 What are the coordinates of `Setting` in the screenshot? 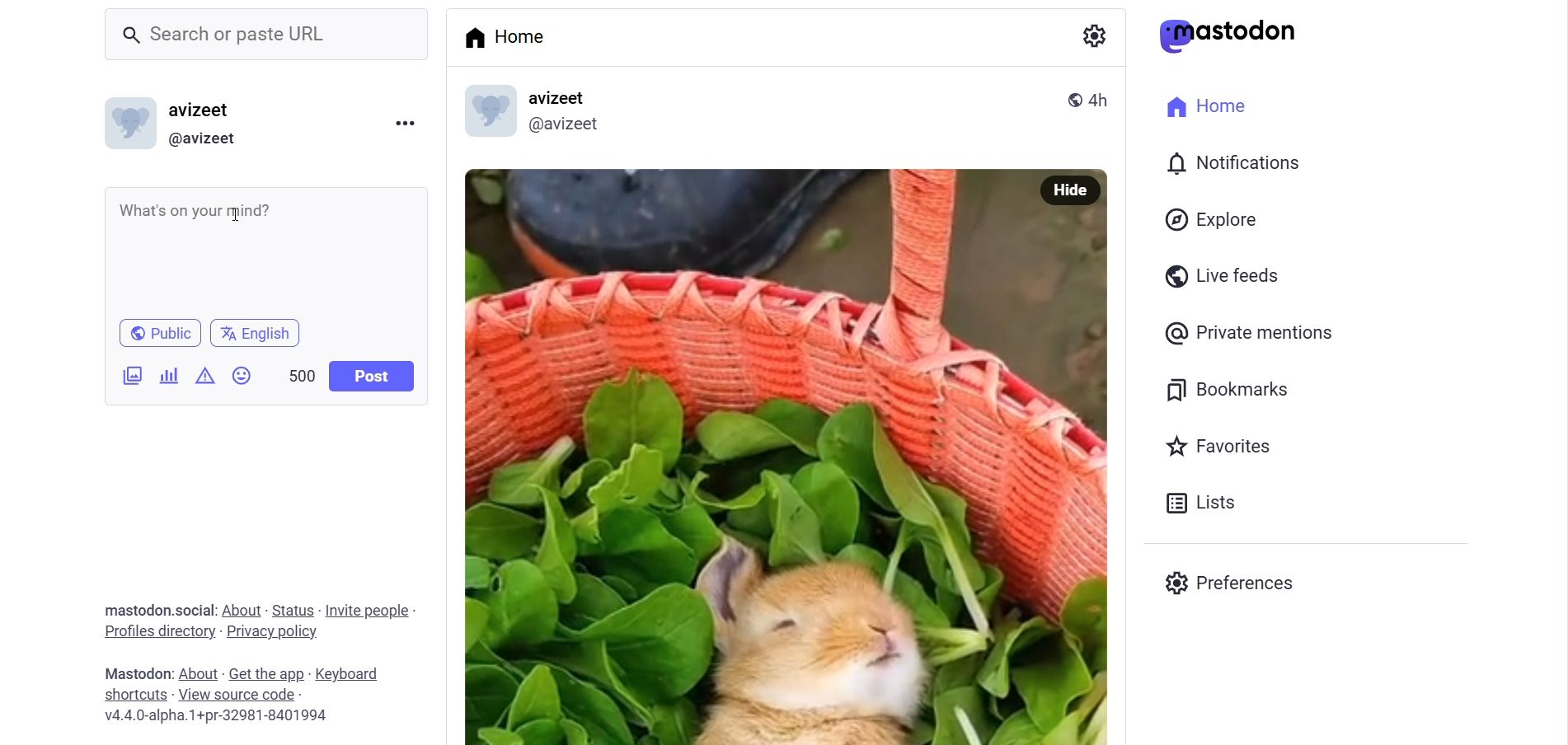 It's located at (1094, 35).